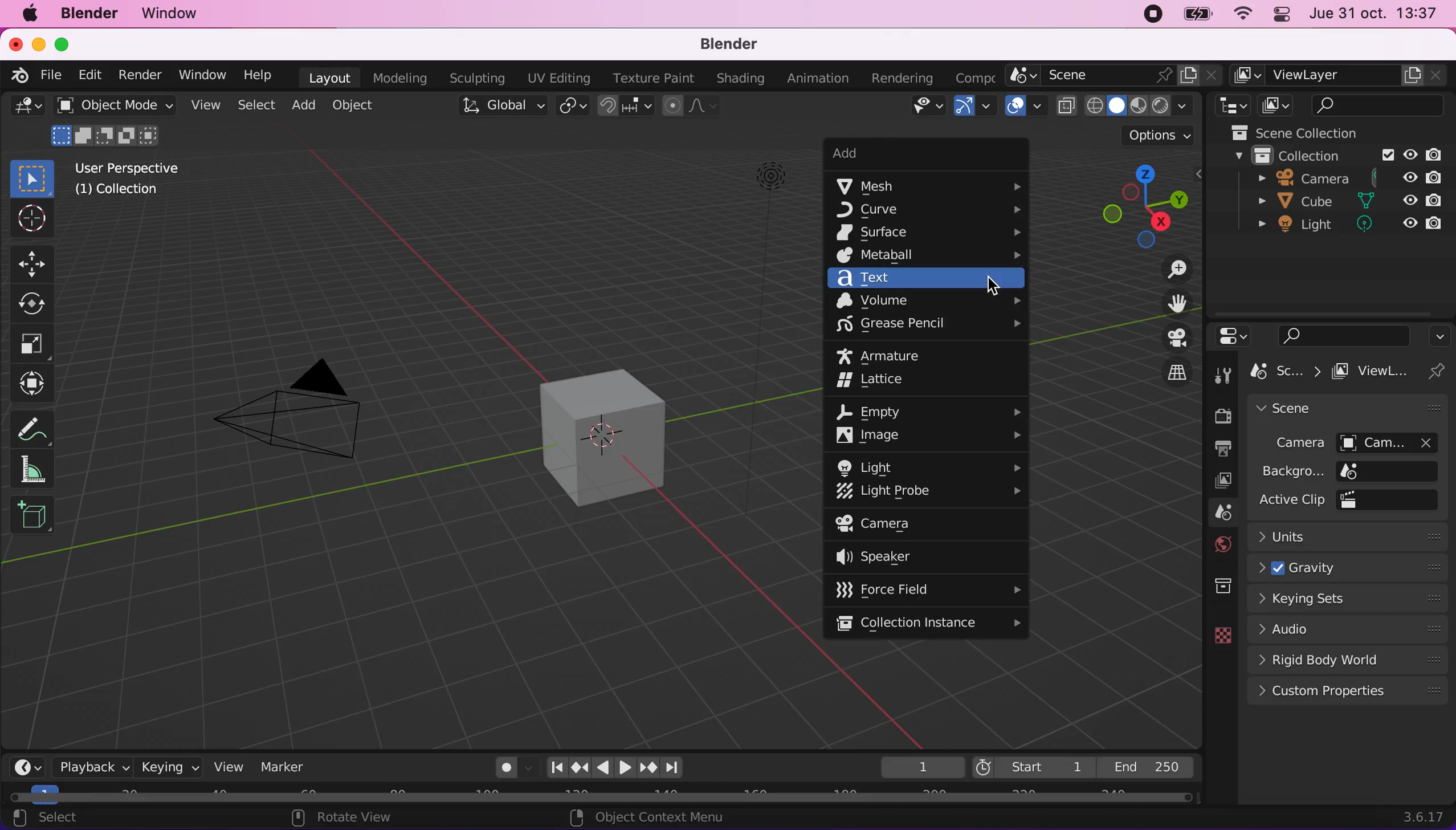 The image size is (1456, 830). I want to click on render, so click(141, 74).